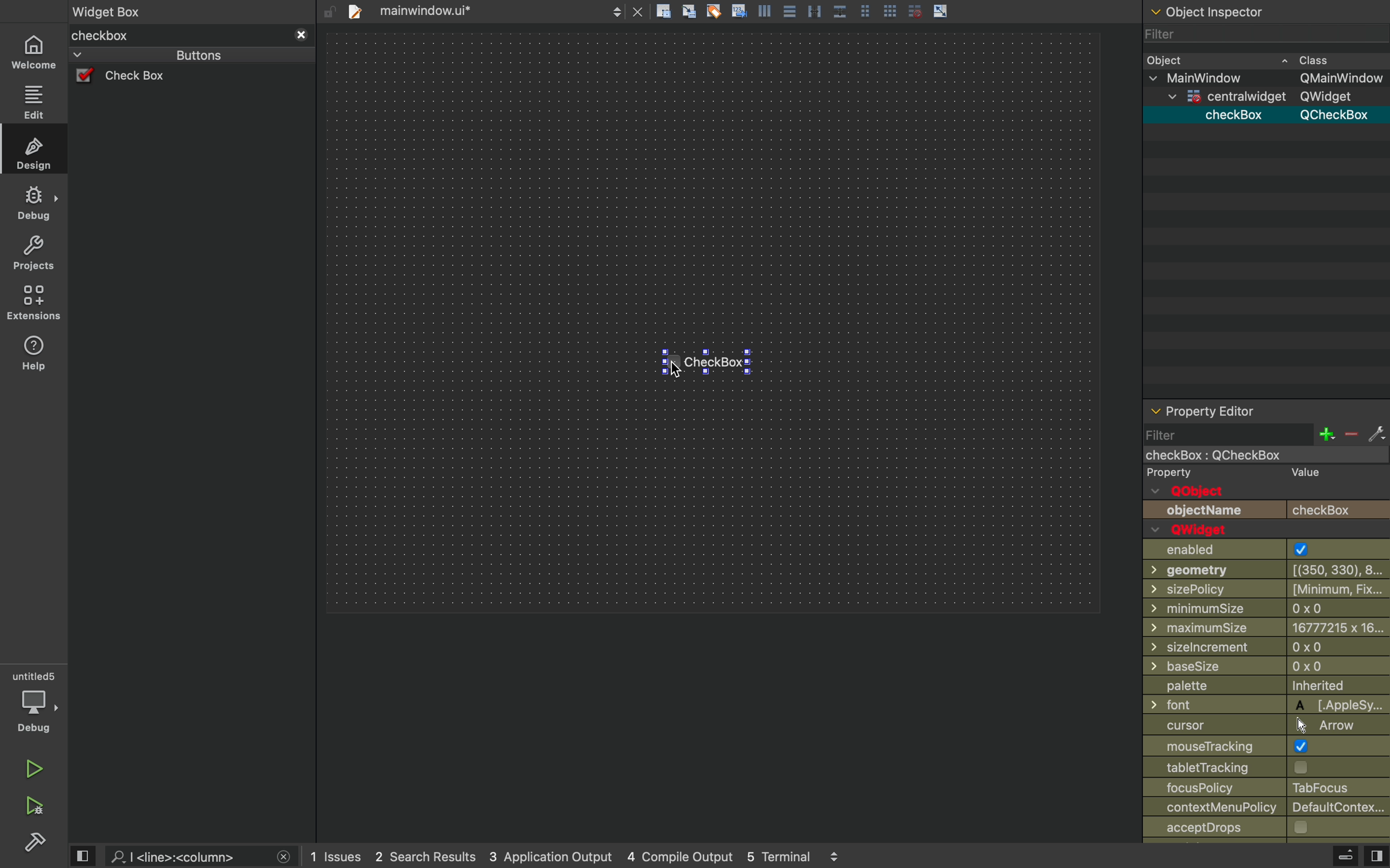  Describe the element at coordinates (764, 10) in the screenshot. I see `align left` at that location.